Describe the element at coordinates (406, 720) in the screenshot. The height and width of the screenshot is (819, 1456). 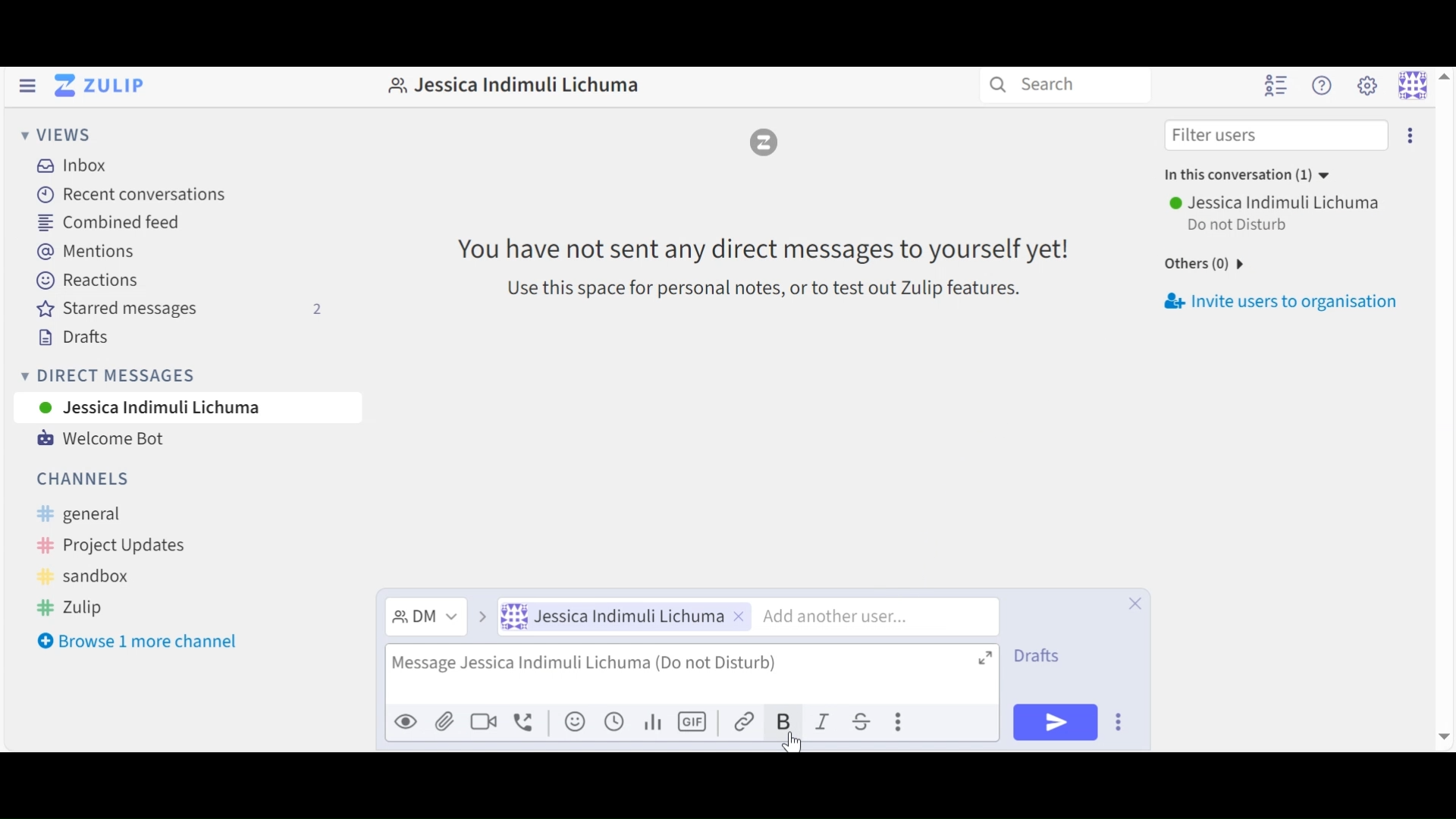
I see `Preview` at that location.